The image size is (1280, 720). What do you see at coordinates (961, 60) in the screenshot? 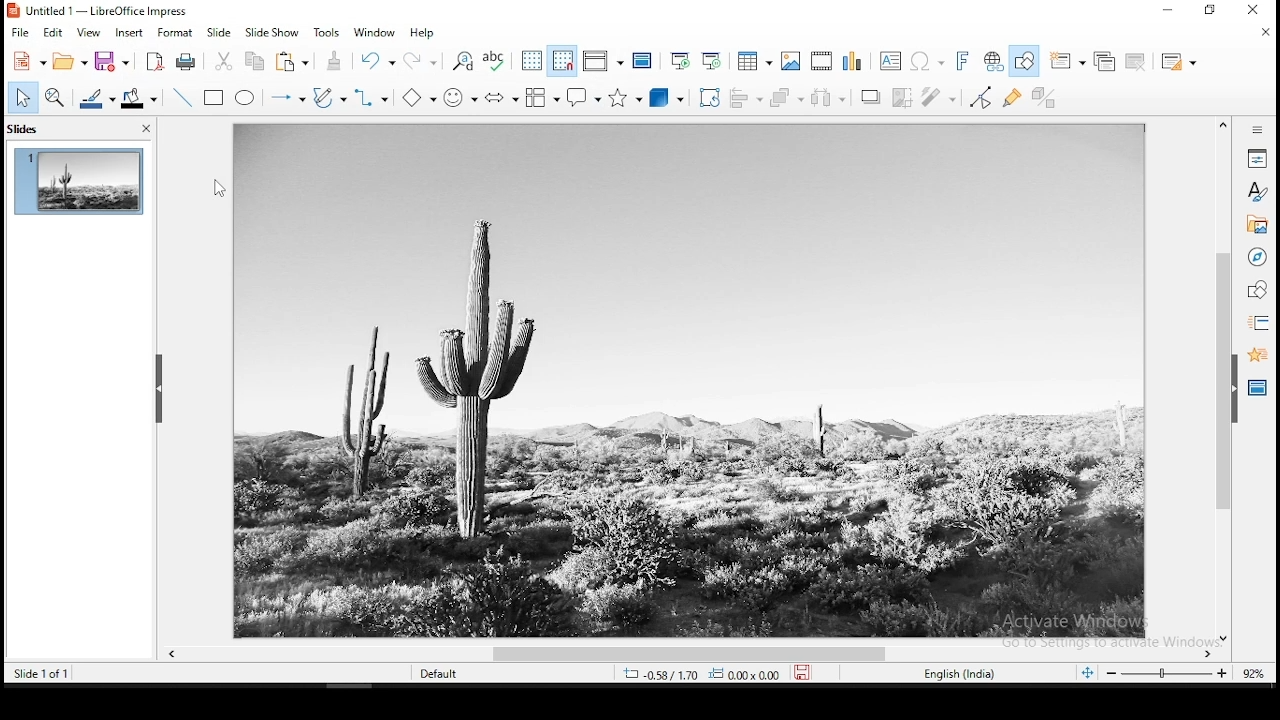
I see `fontwork text` at bounding box center [961, 60].